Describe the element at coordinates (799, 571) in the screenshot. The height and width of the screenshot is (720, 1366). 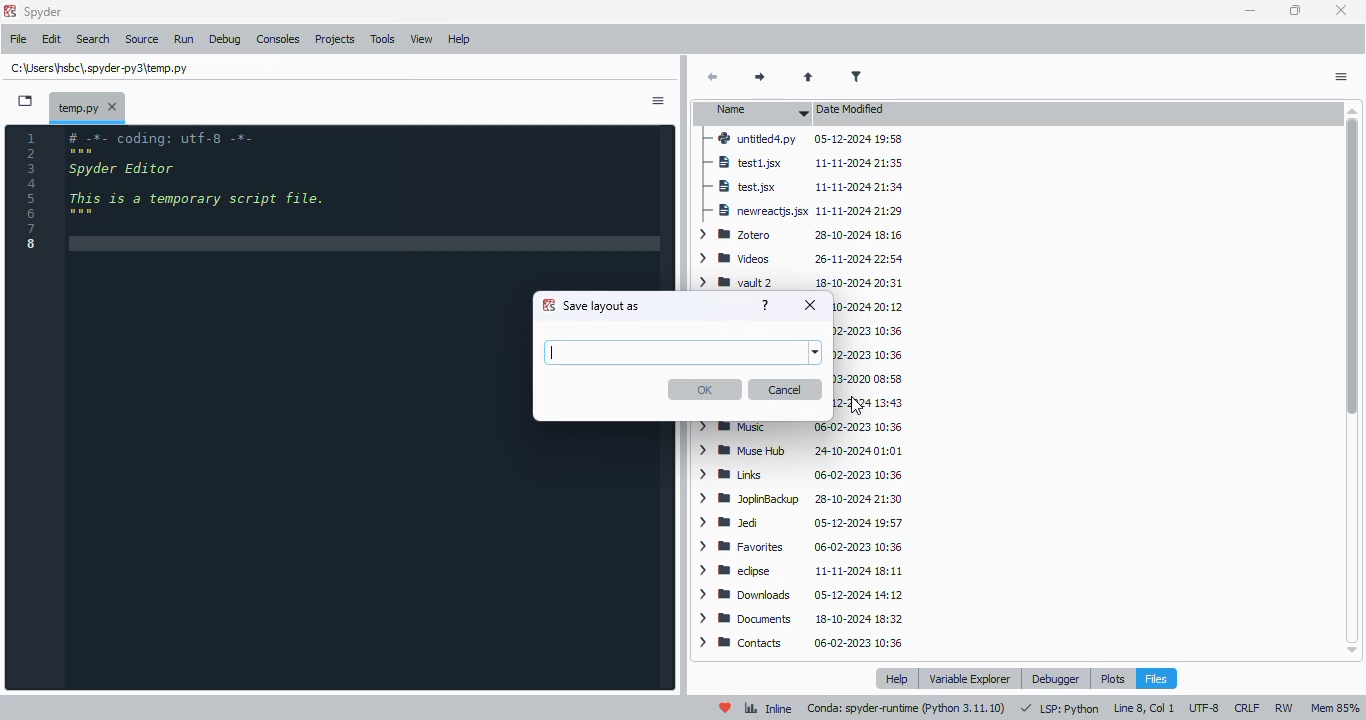
I see `eclipse` at that location.